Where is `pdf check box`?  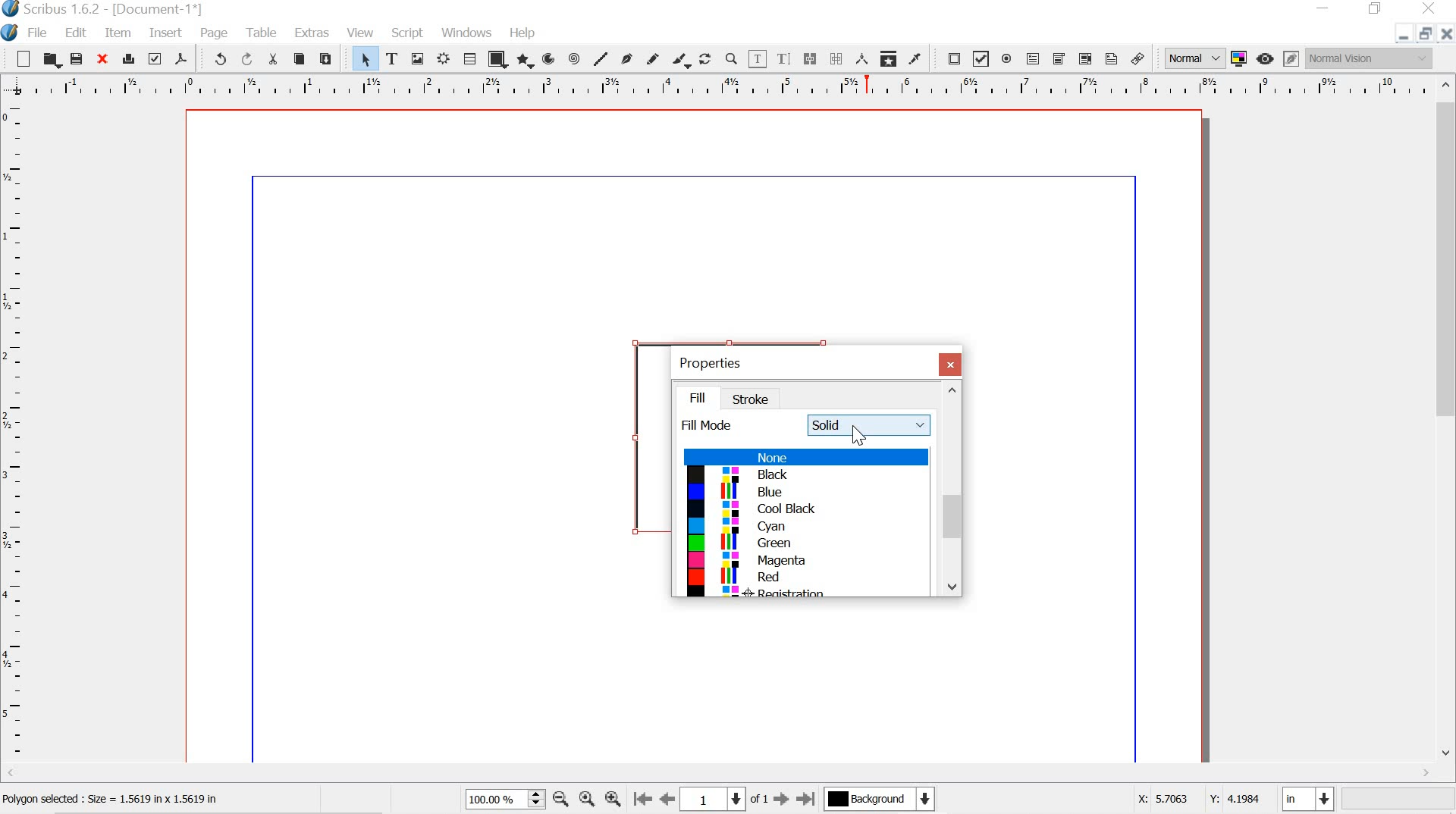 pdf check box is located at coordinates (981, 58).